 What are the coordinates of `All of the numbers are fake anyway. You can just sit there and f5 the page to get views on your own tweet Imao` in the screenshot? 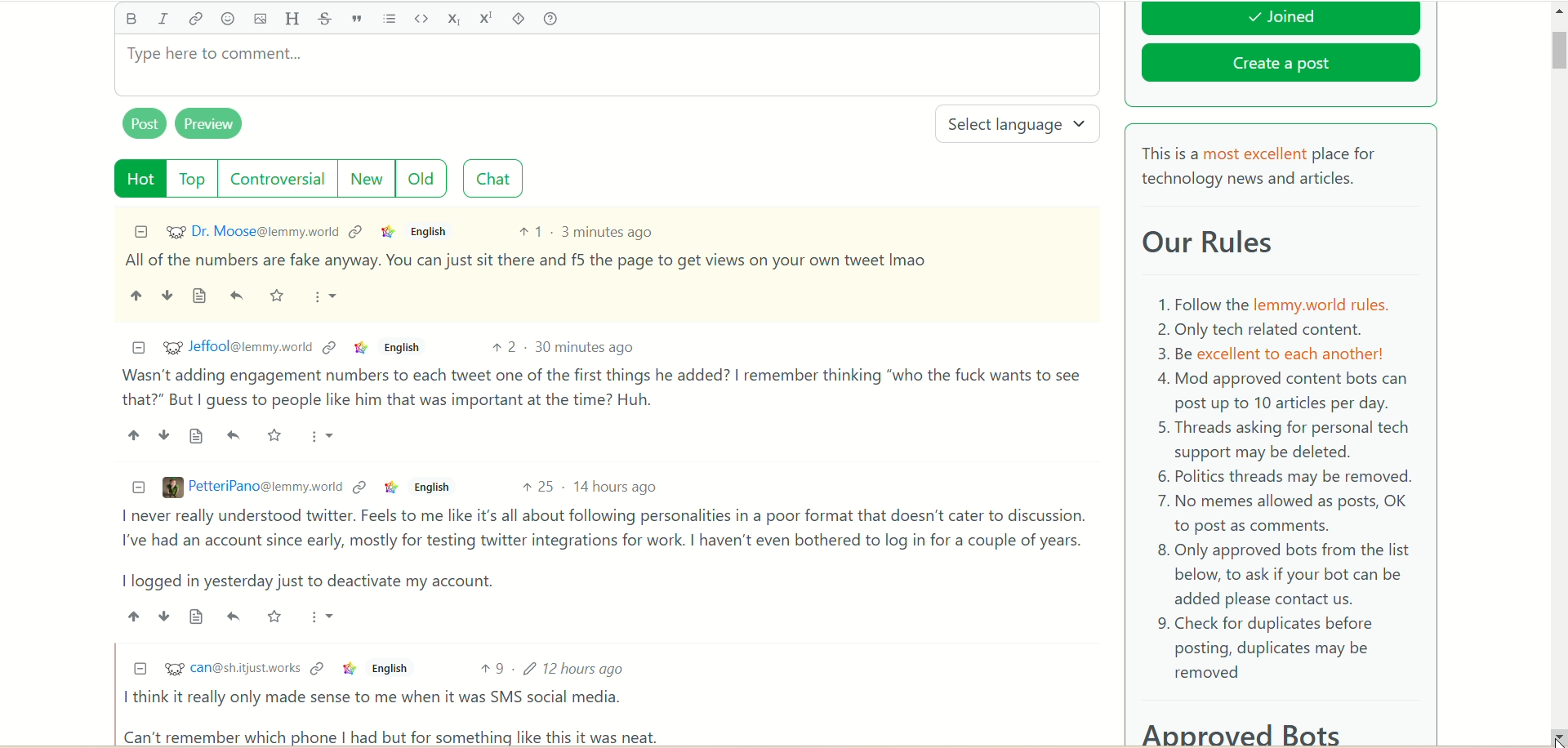 It's located at (527, 260).